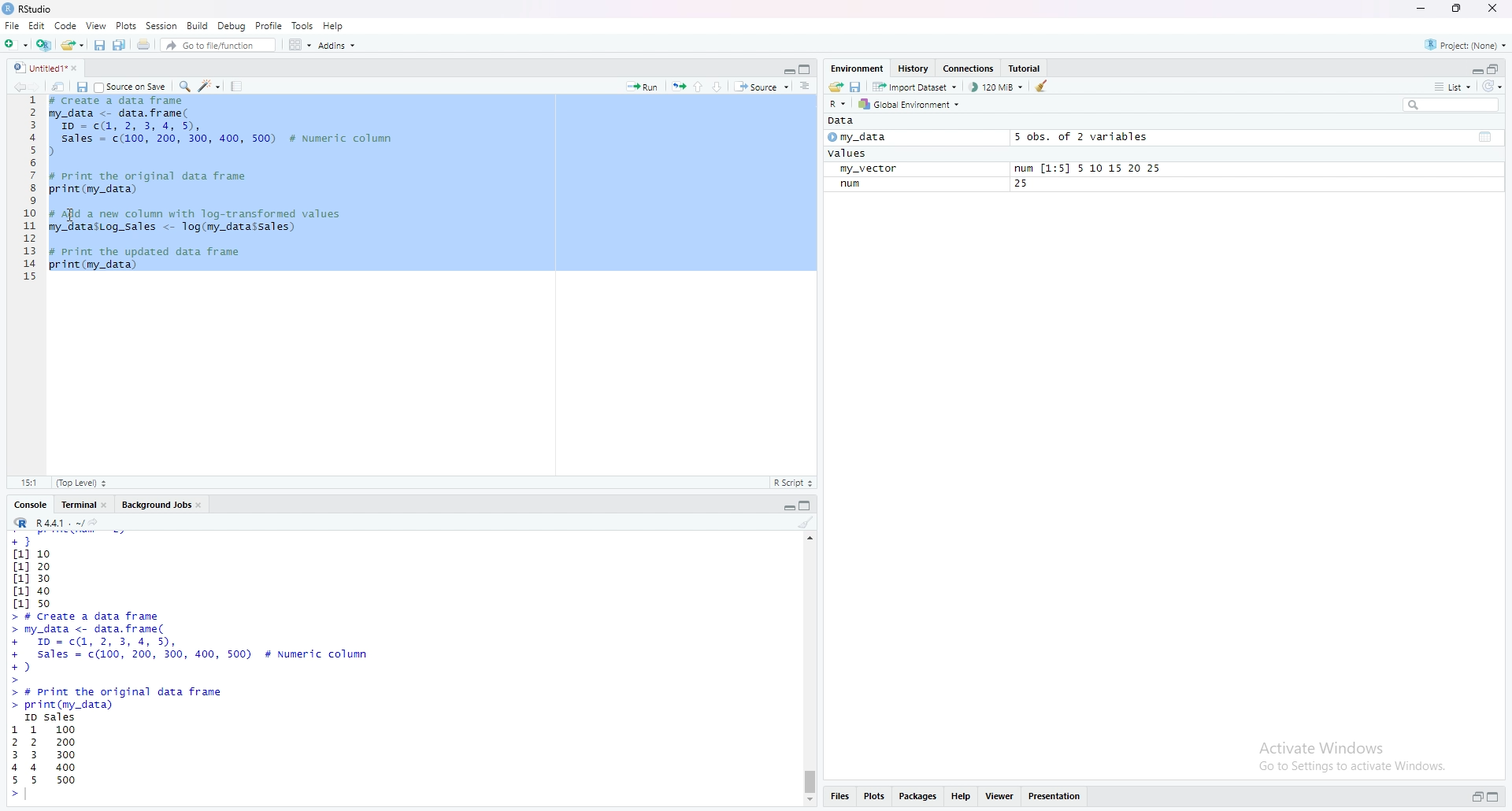 This screenshot has height=811, width=1512. Describe the element at coordinates (1449, 106) in the screenshot. I see `search field` at that location.